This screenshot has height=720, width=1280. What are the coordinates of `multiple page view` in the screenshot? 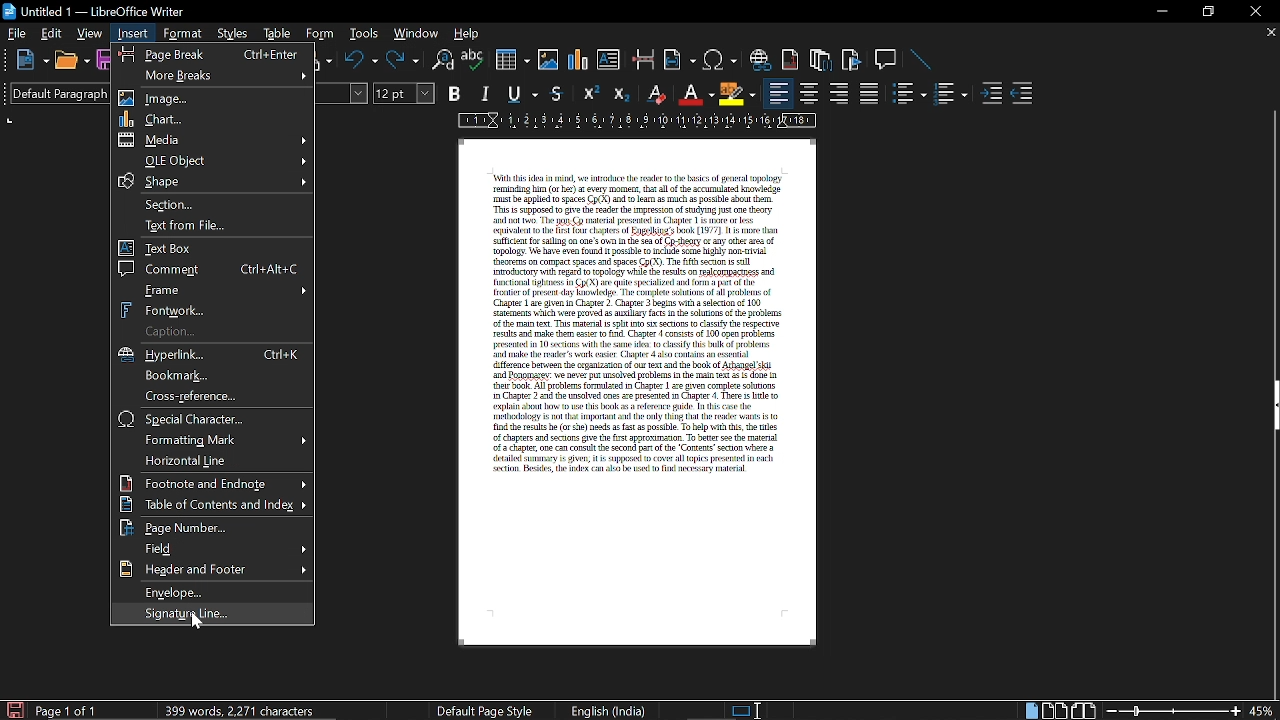 It's located at (1055, 711).